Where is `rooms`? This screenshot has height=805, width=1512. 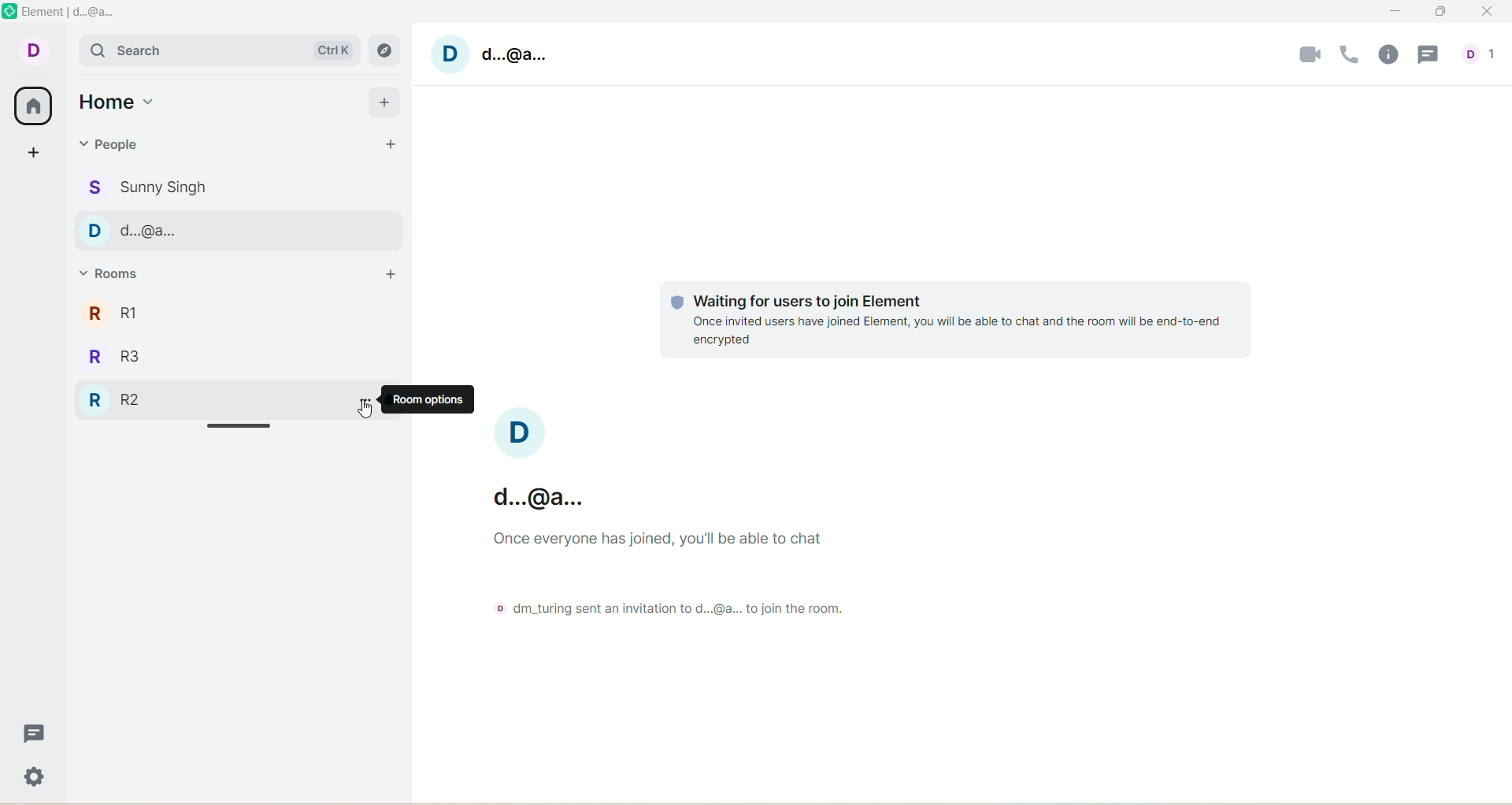
rooms is located at coordinates (115, 275).